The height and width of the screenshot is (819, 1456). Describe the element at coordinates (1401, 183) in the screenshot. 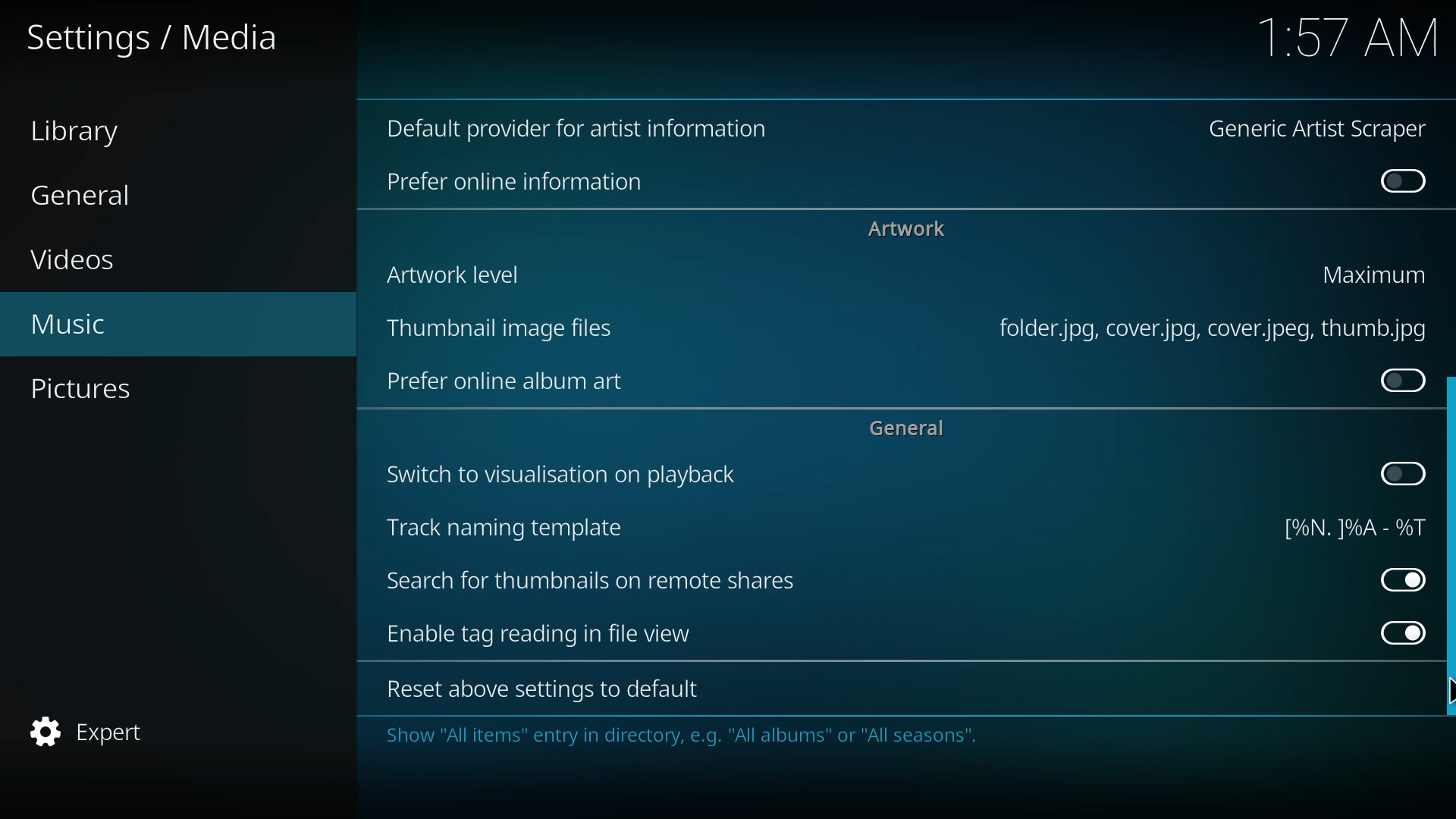

I see `disabled` at that location.